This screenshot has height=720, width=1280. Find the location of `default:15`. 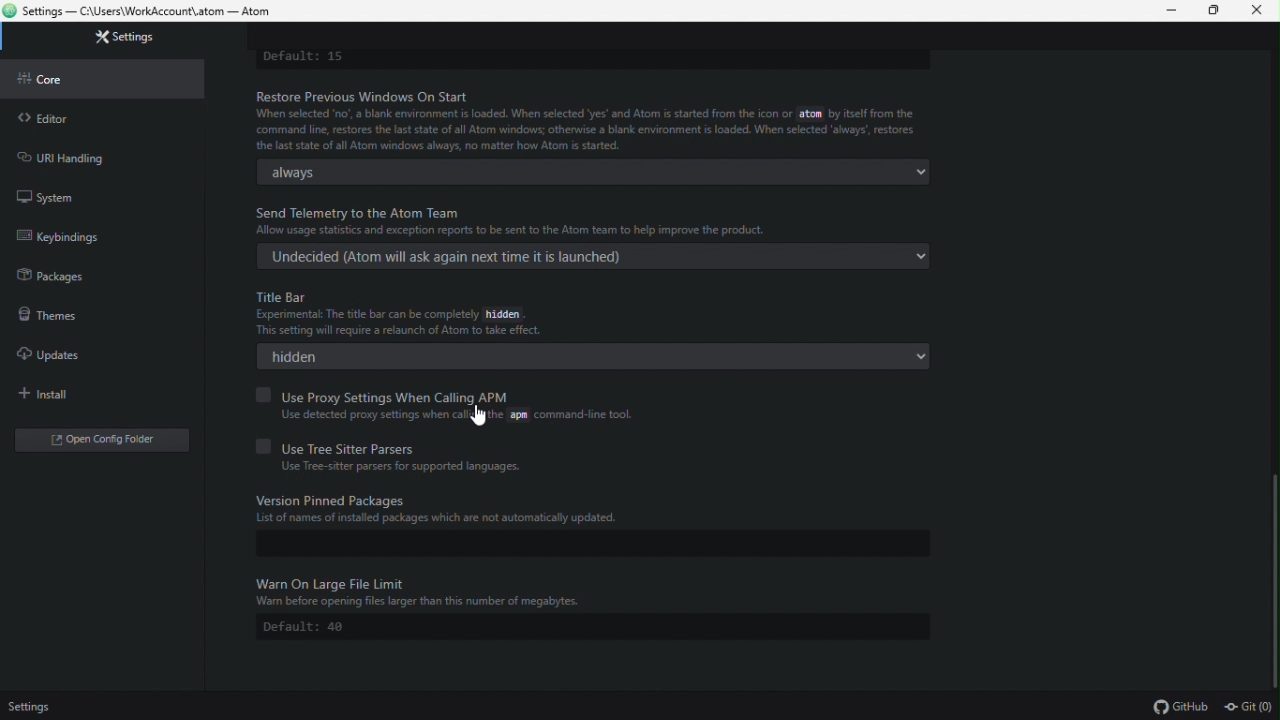

default:15 is located at coordinates (304, 56).